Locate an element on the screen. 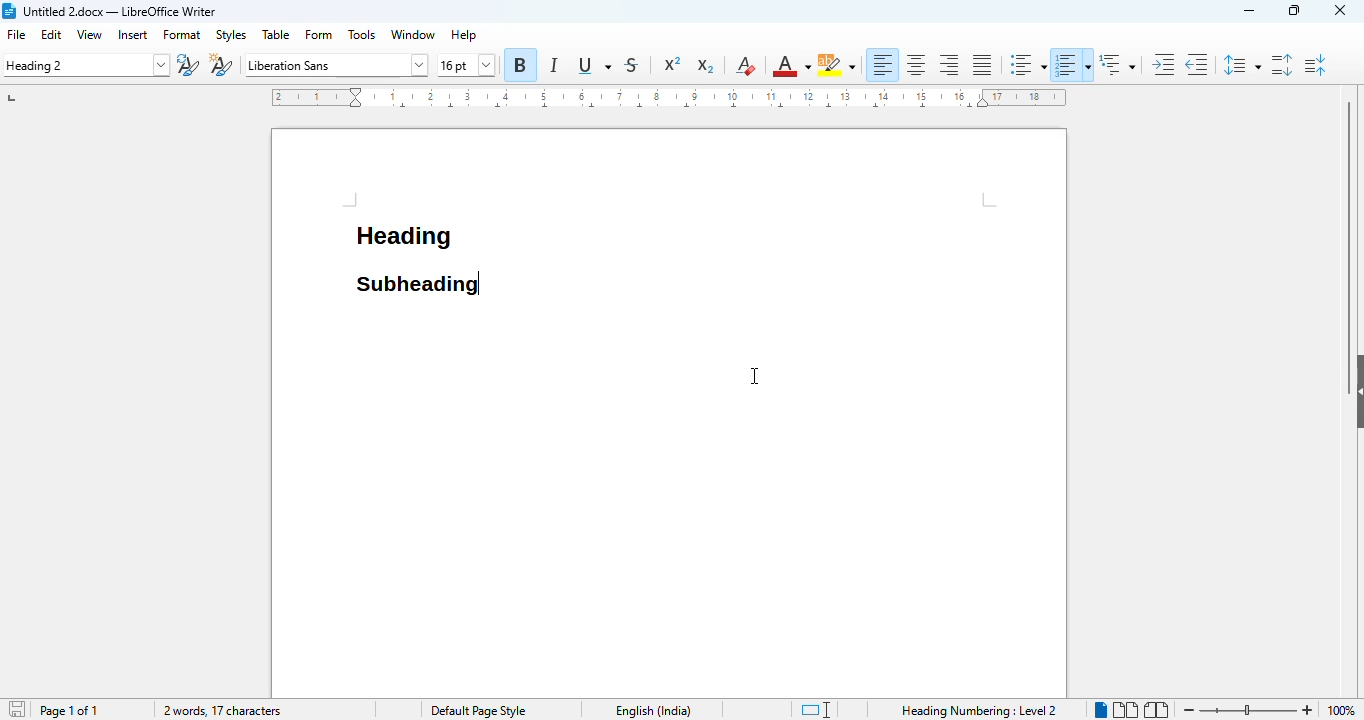  logo is located at coordinates (9, 11).